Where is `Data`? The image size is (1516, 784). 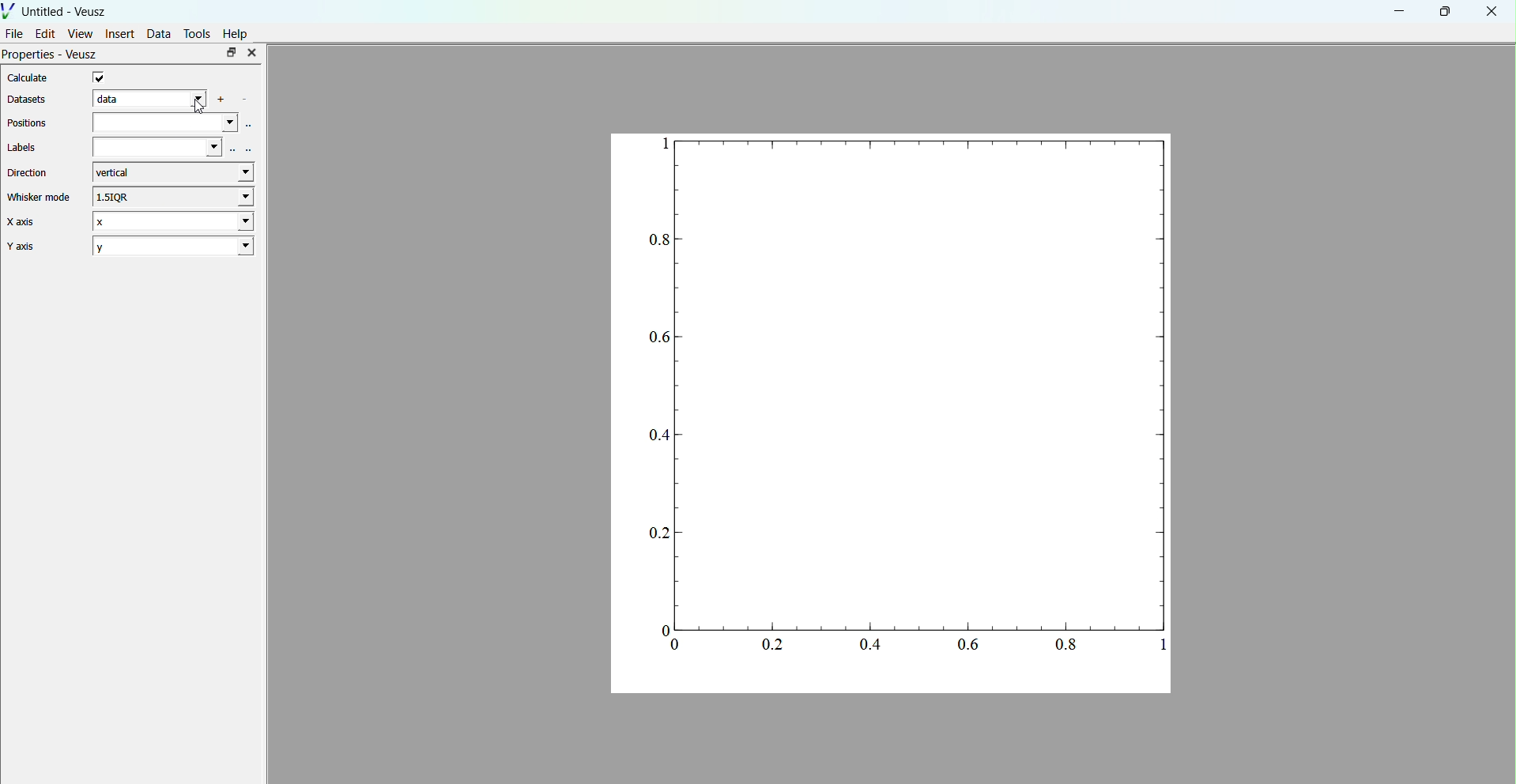 Data is located at coordinates (159, 33).